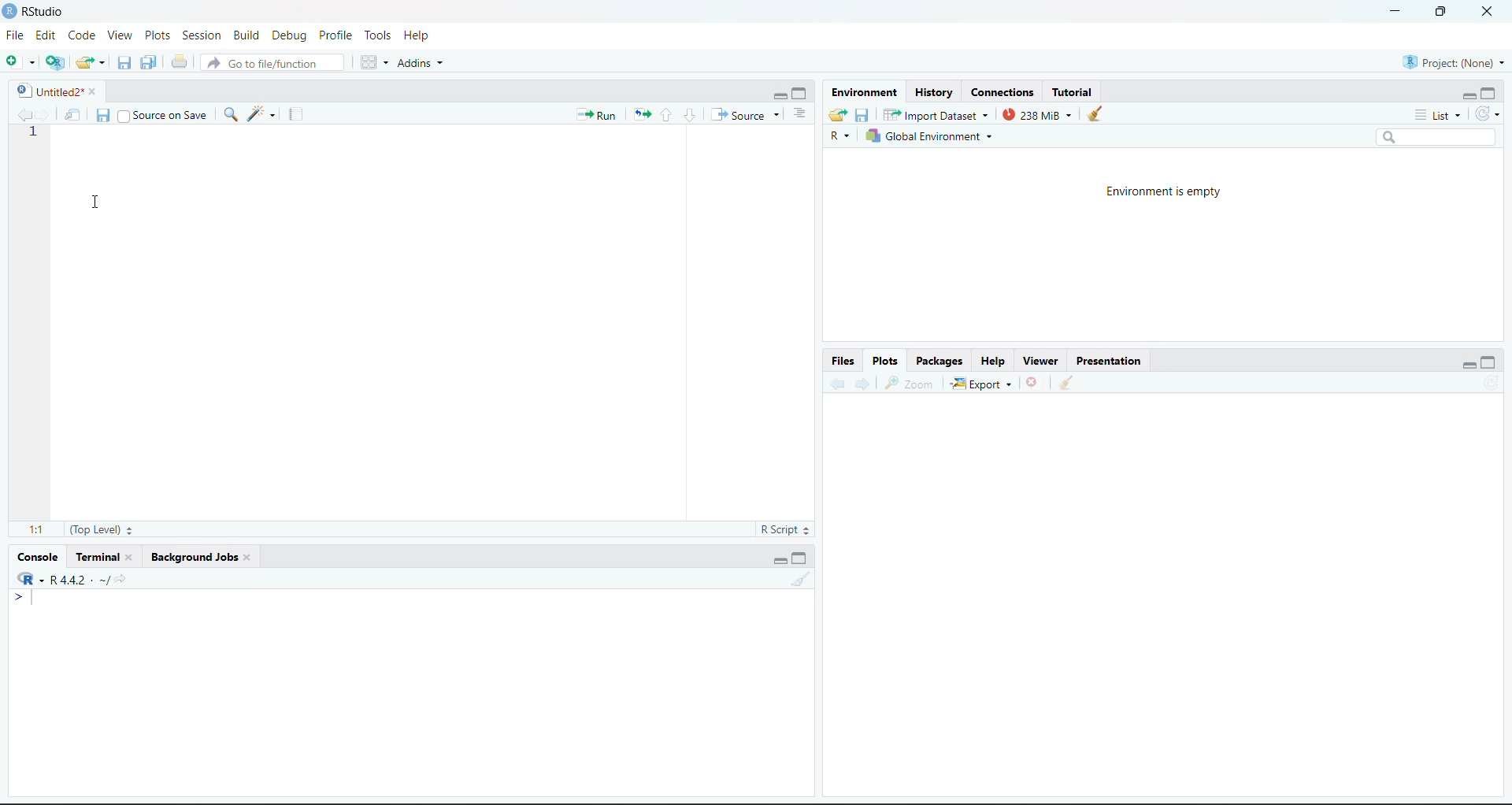 The height and width of the screenshot is (805, 1512). Describe the element at coordinates (11, 12) in the screenshot. I see `logo` at that location.